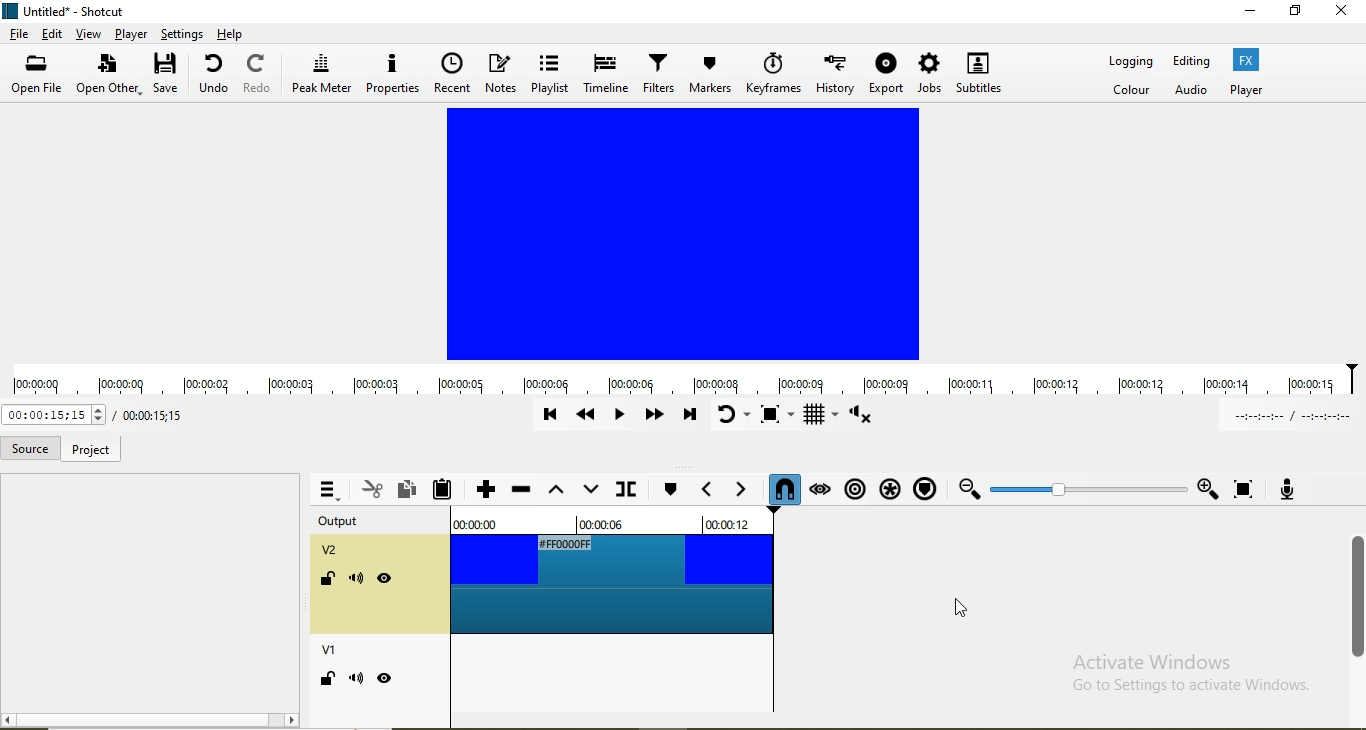 Image resolution: width=1366 pixels, height=730 pixels. Describe the element at coordinates (1086, 488) in the screenshot. I see `Zoom timeline to fit` at that location.